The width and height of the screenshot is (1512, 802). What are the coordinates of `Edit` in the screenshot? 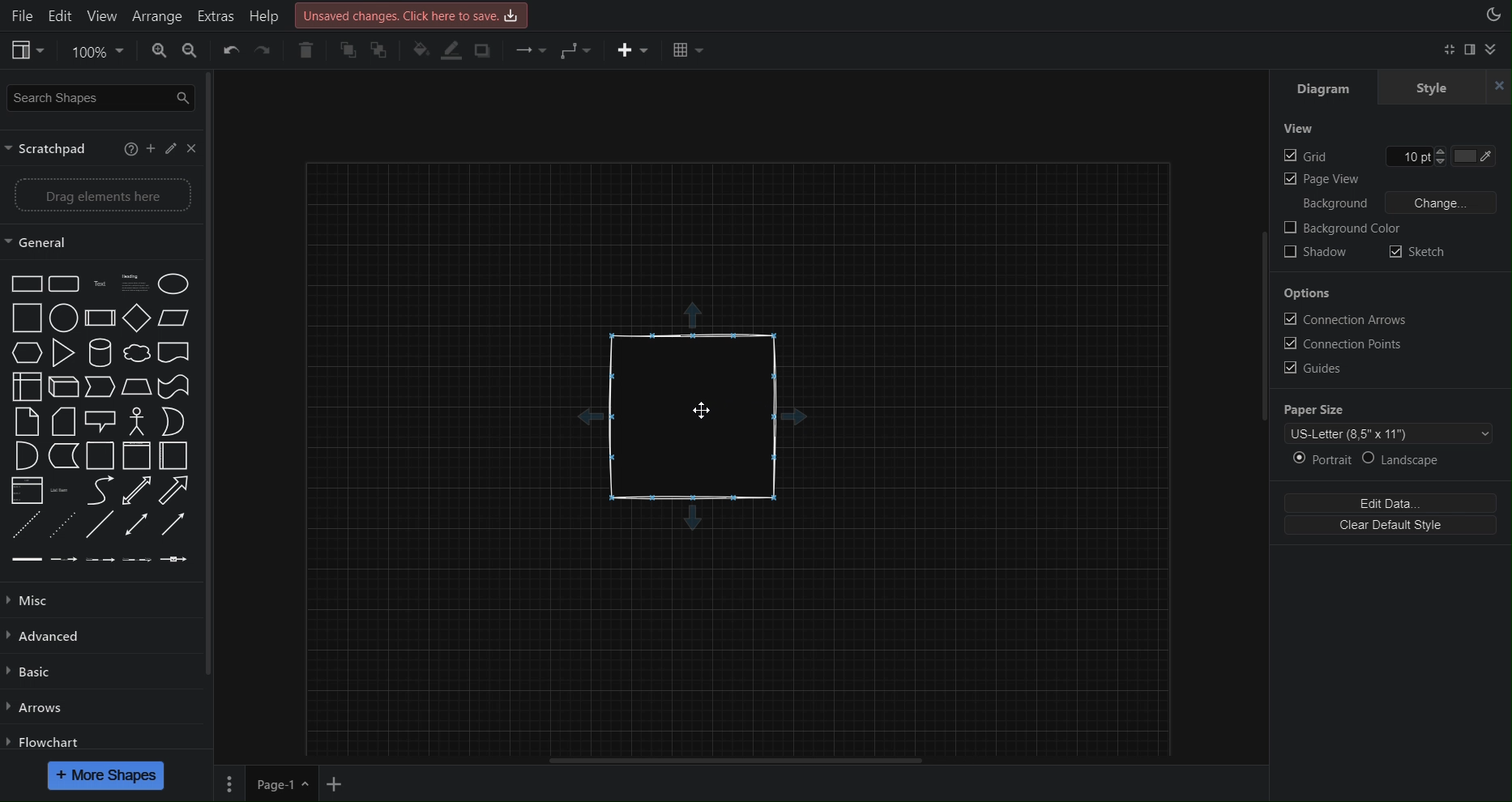 It's located at (59, 13).